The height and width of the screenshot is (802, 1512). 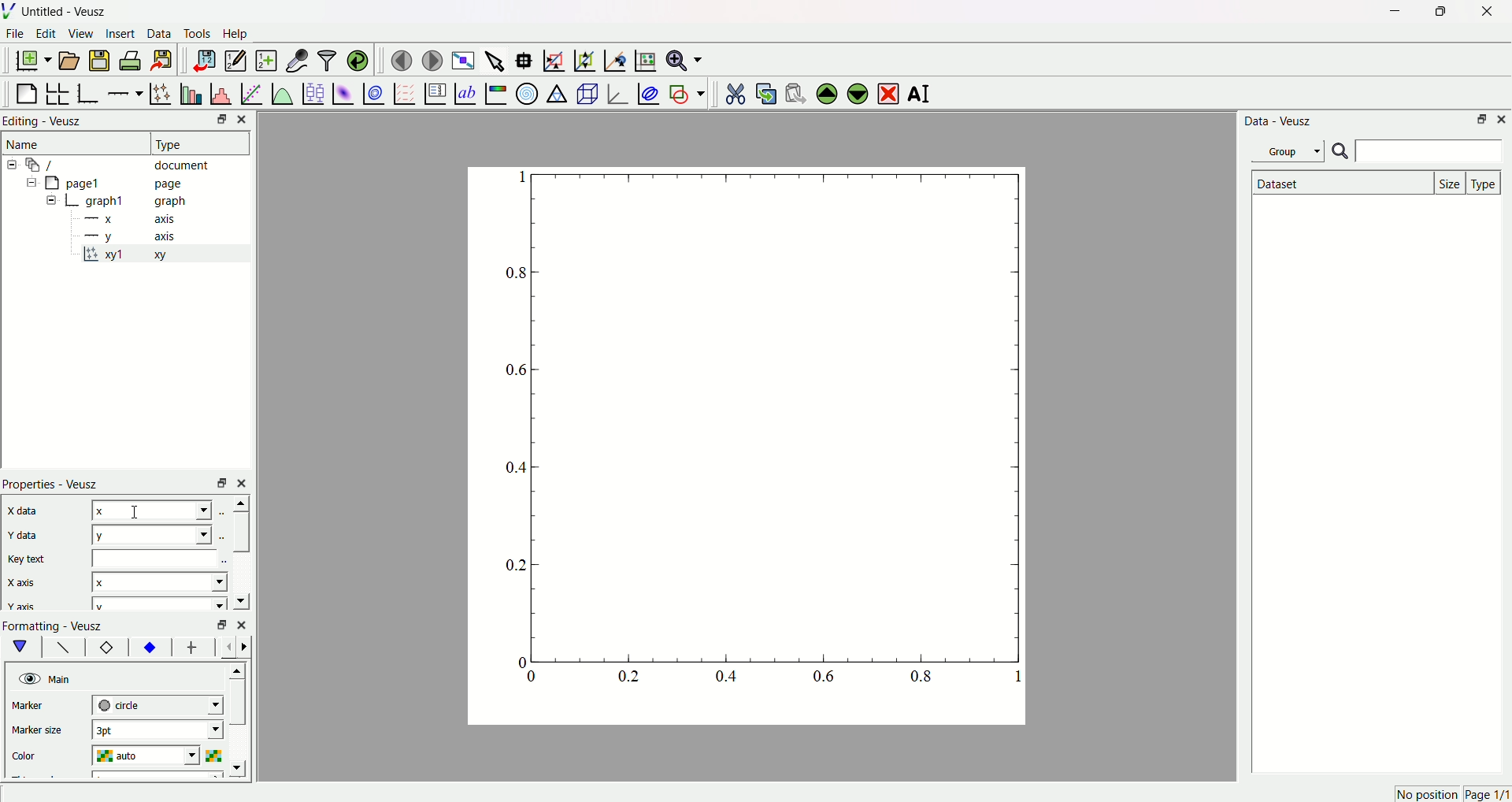 What do you see at coordinates (204, 60) in the screenshot?
I see `import datasets` at bounding box center [204, 60].